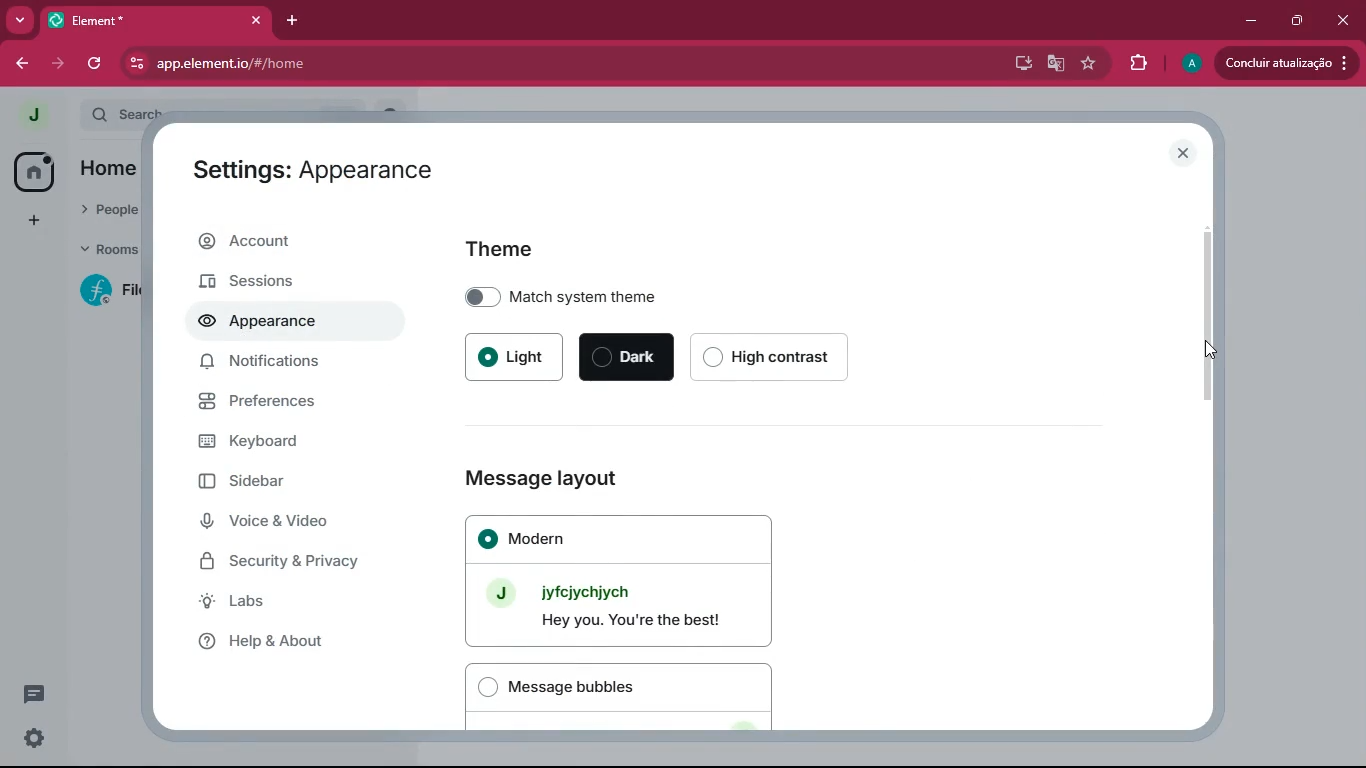 The width and height of the screenshot is (1366, 768). I want to click on google translate, so click(1057, 65).